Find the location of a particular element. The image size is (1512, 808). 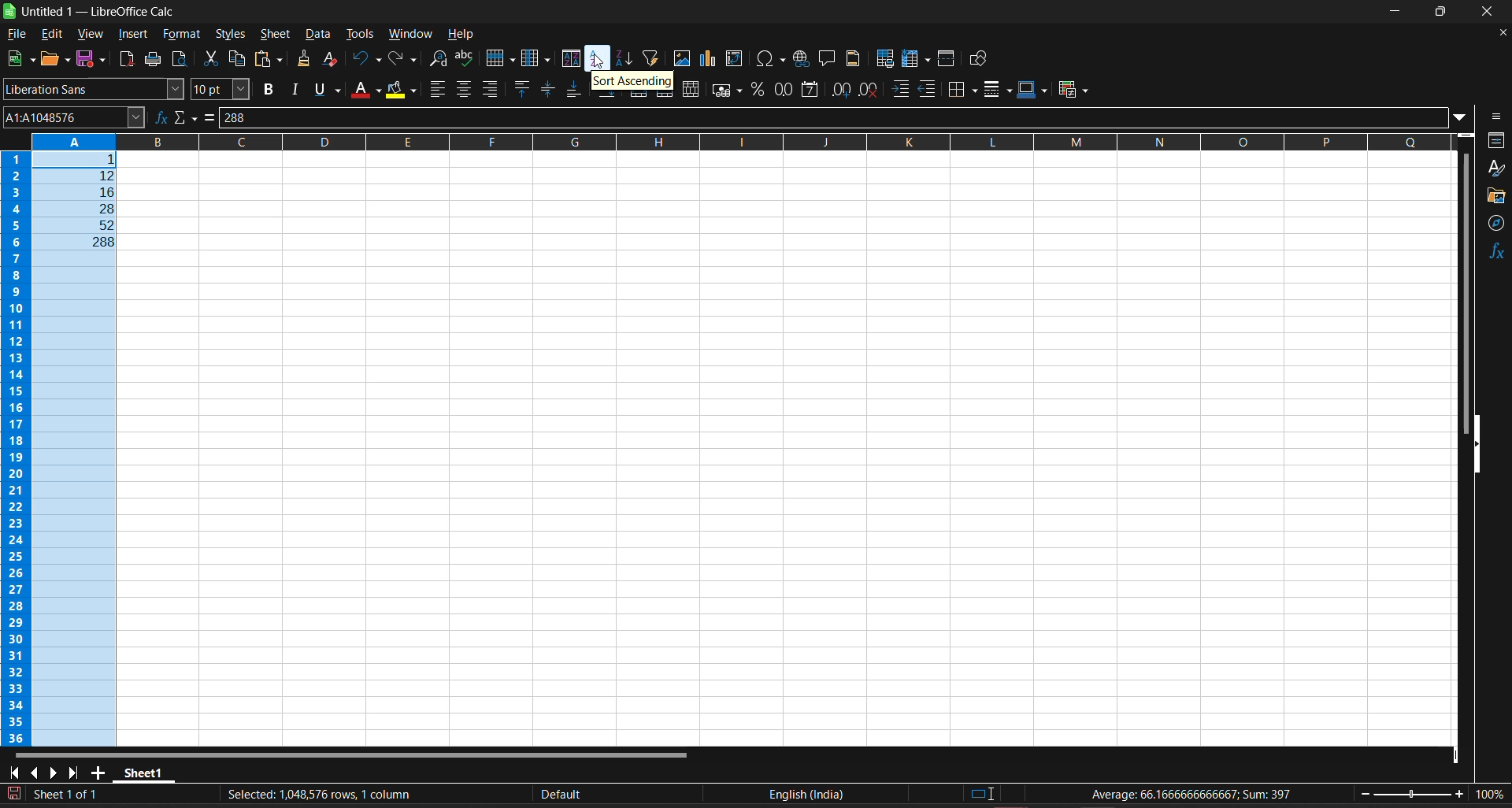

insert hyperlink is located at coordinates (800, 58).